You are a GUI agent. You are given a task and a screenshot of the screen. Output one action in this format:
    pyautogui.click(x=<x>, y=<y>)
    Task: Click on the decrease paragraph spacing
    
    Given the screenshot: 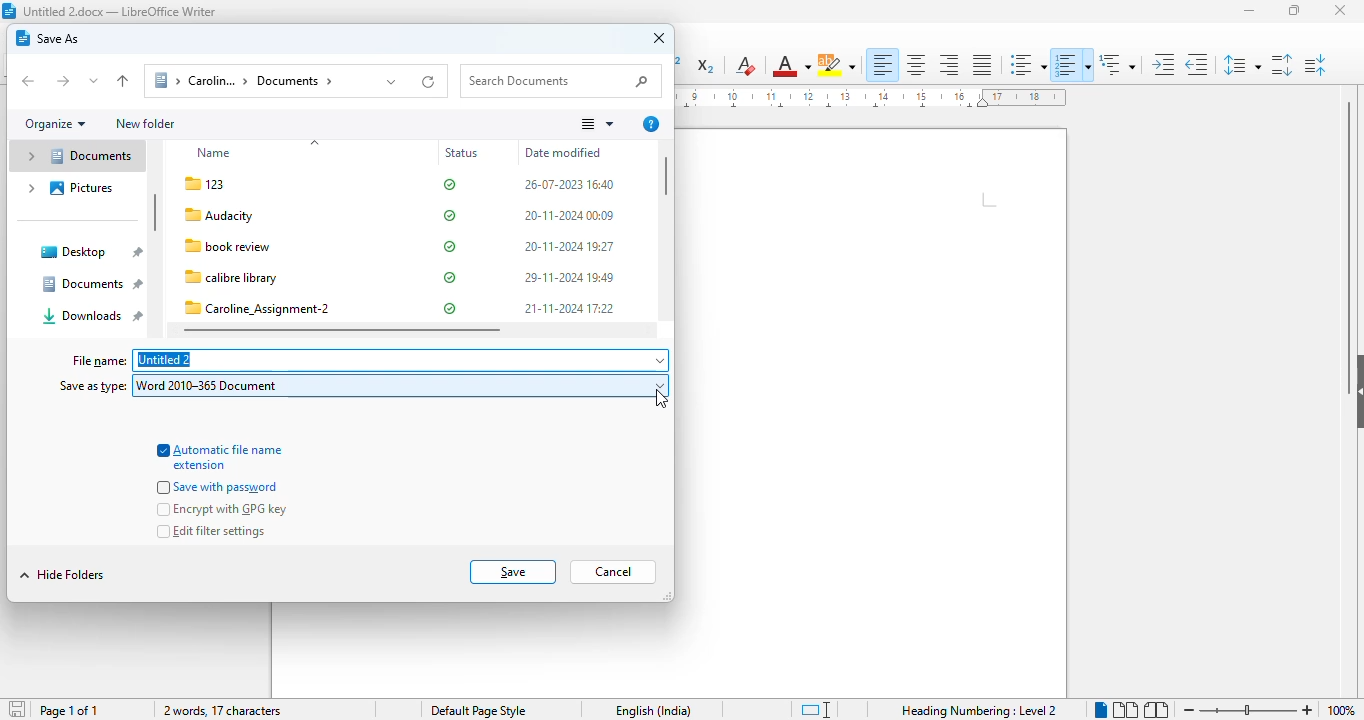 What is the action you would take?
    pyautogui.click(x=1316, y=65)
    